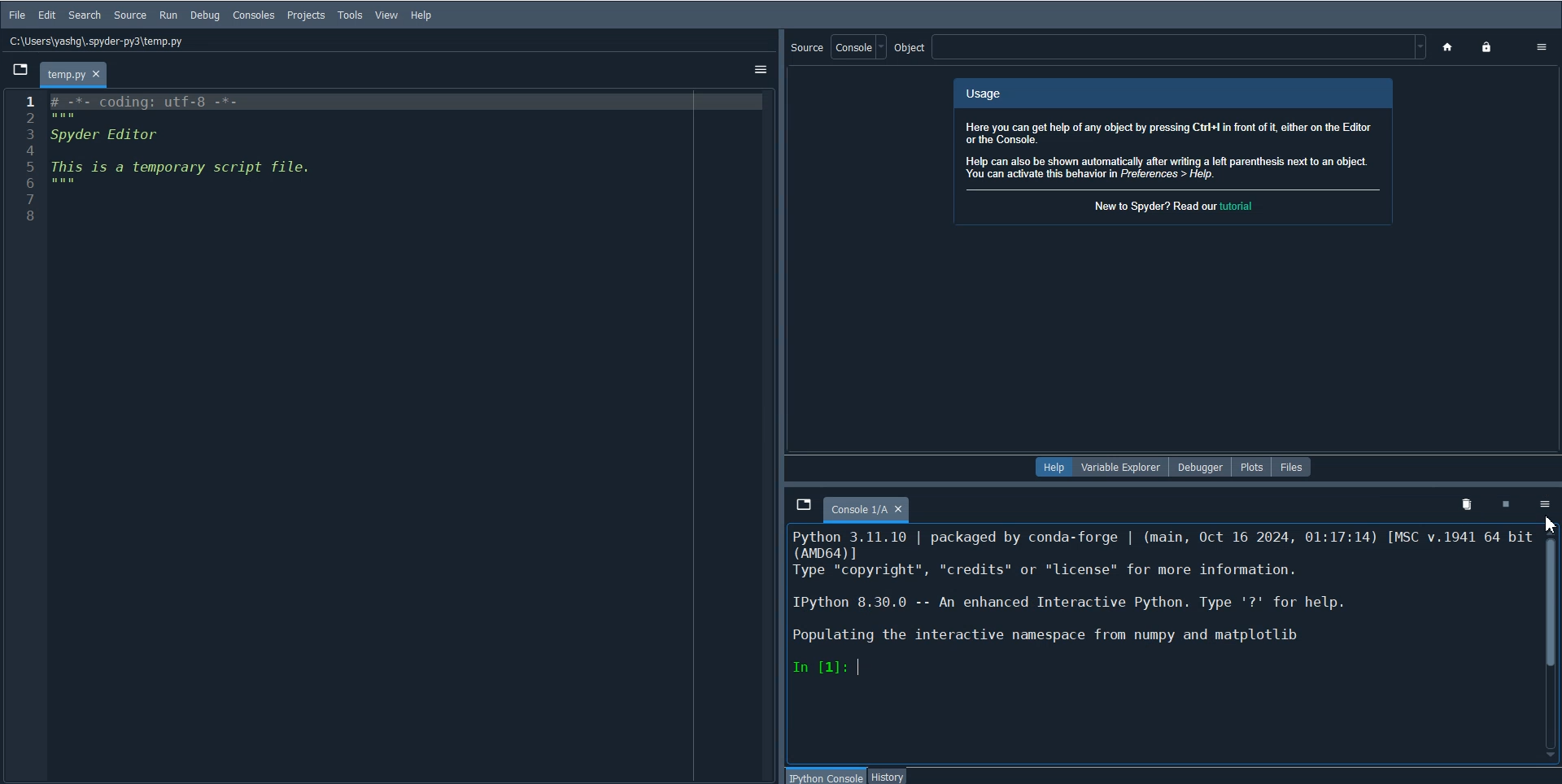 The height and width of the screenshot is (784, 1562). I want to click on Consoles, so click(254, 15).